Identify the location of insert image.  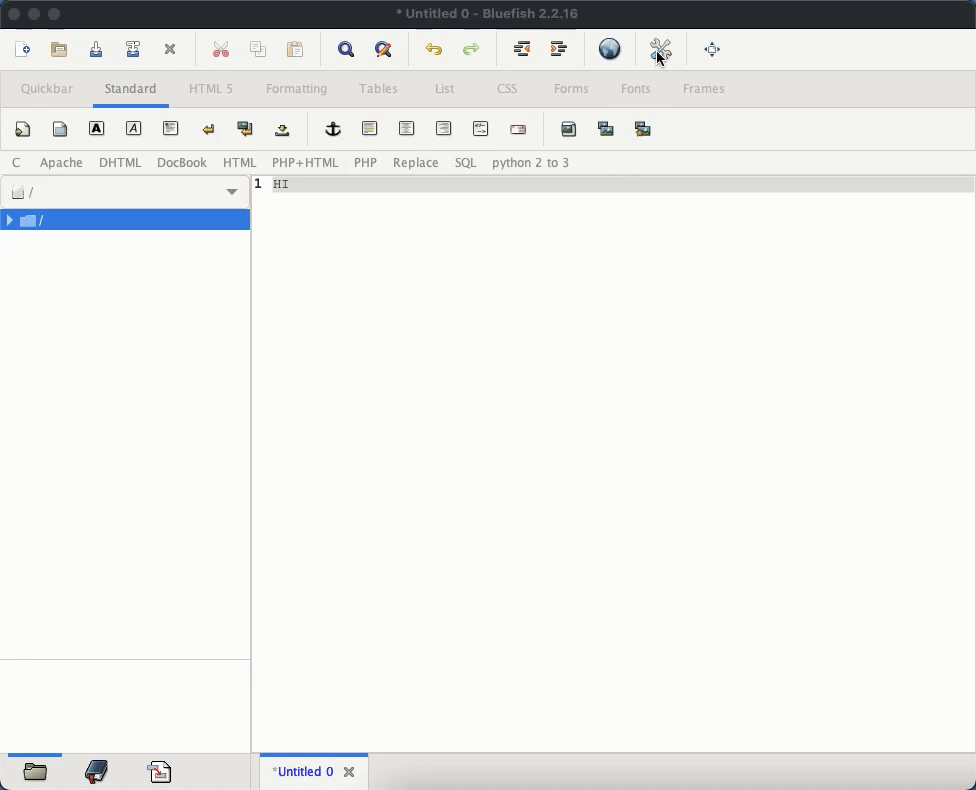
(568, 129).